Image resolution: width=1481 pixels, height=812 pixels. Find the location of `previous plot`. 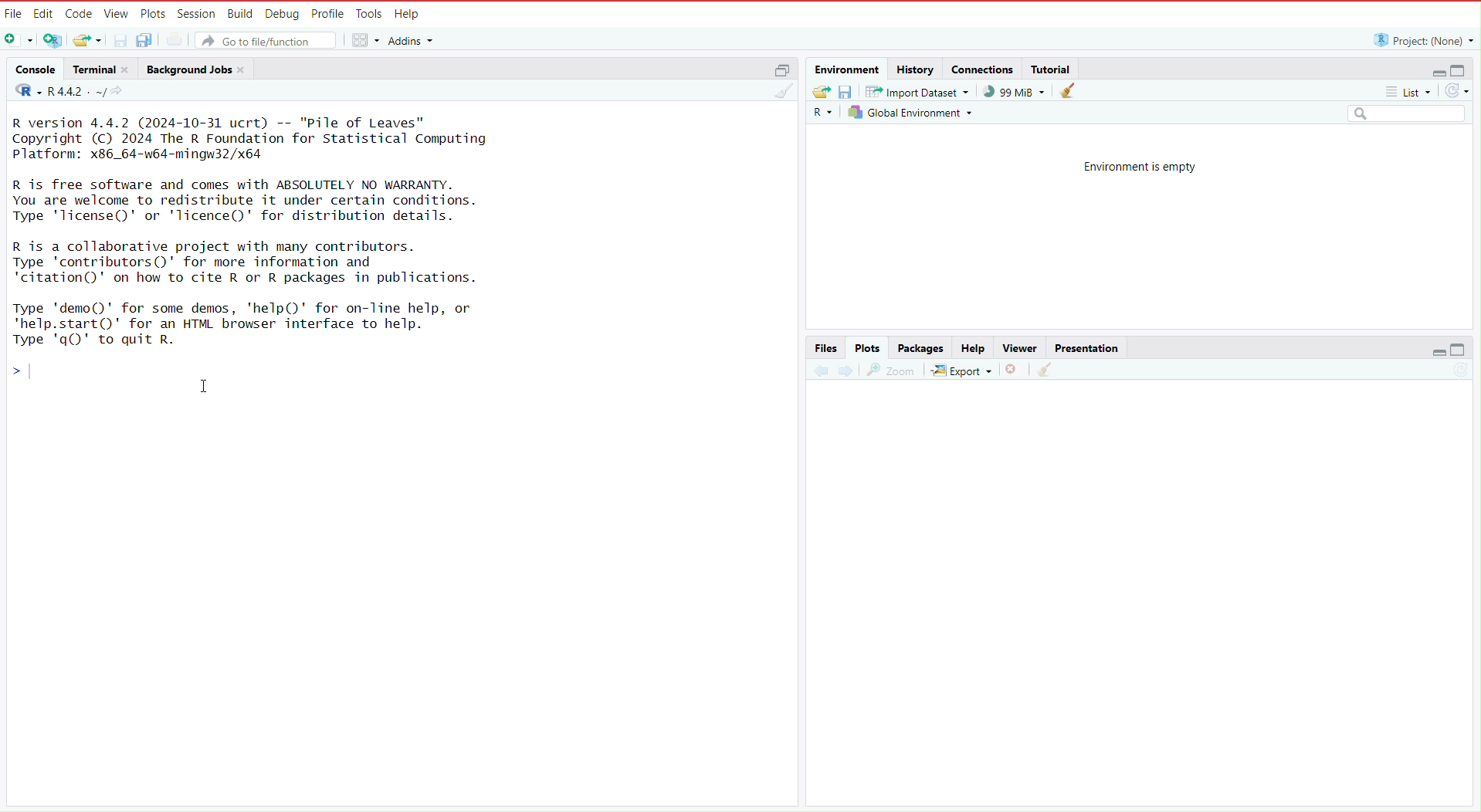

previous plot is located at coordinates (817, 370).